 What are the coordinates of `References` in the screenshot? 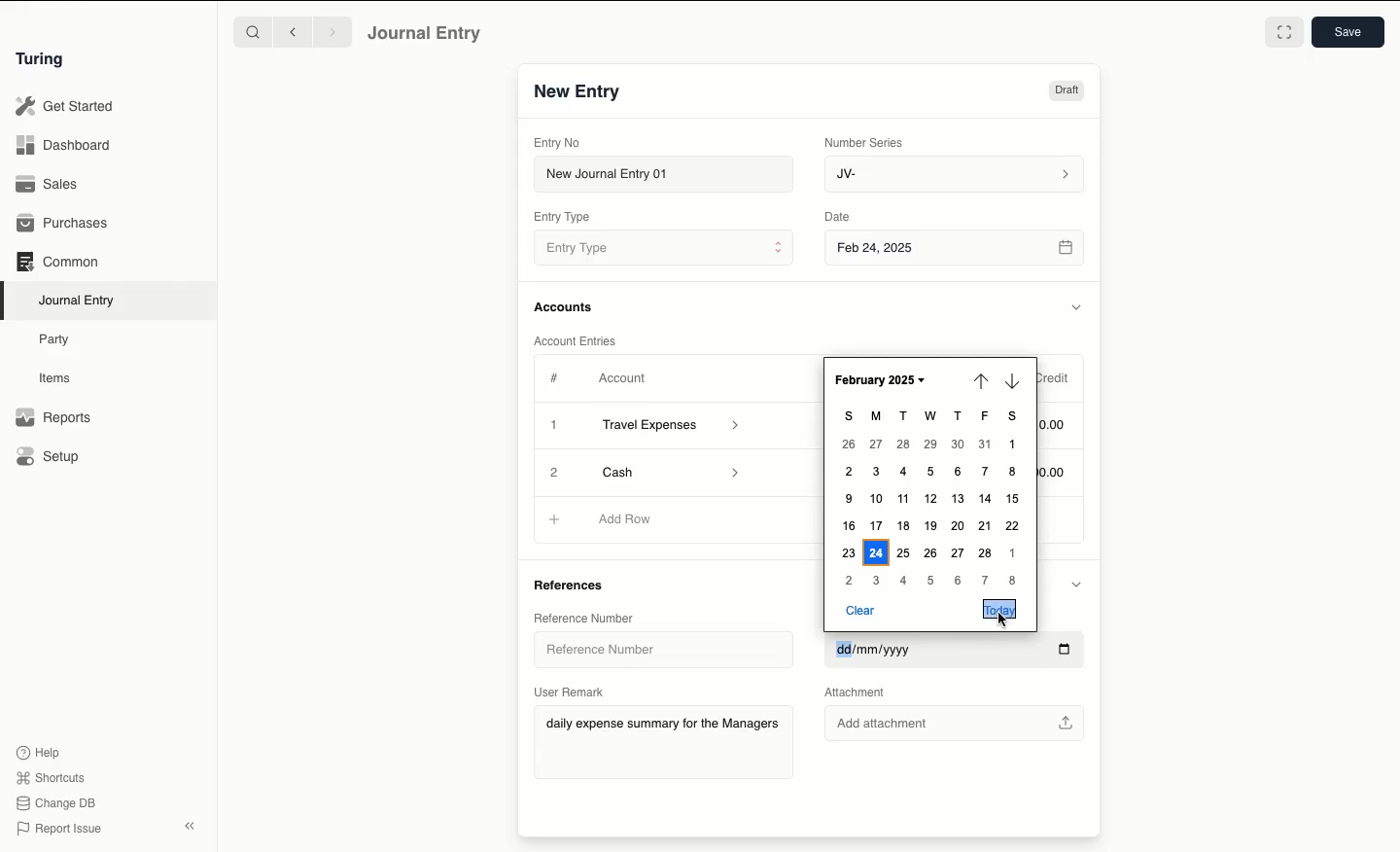 It's located at (576, 584).